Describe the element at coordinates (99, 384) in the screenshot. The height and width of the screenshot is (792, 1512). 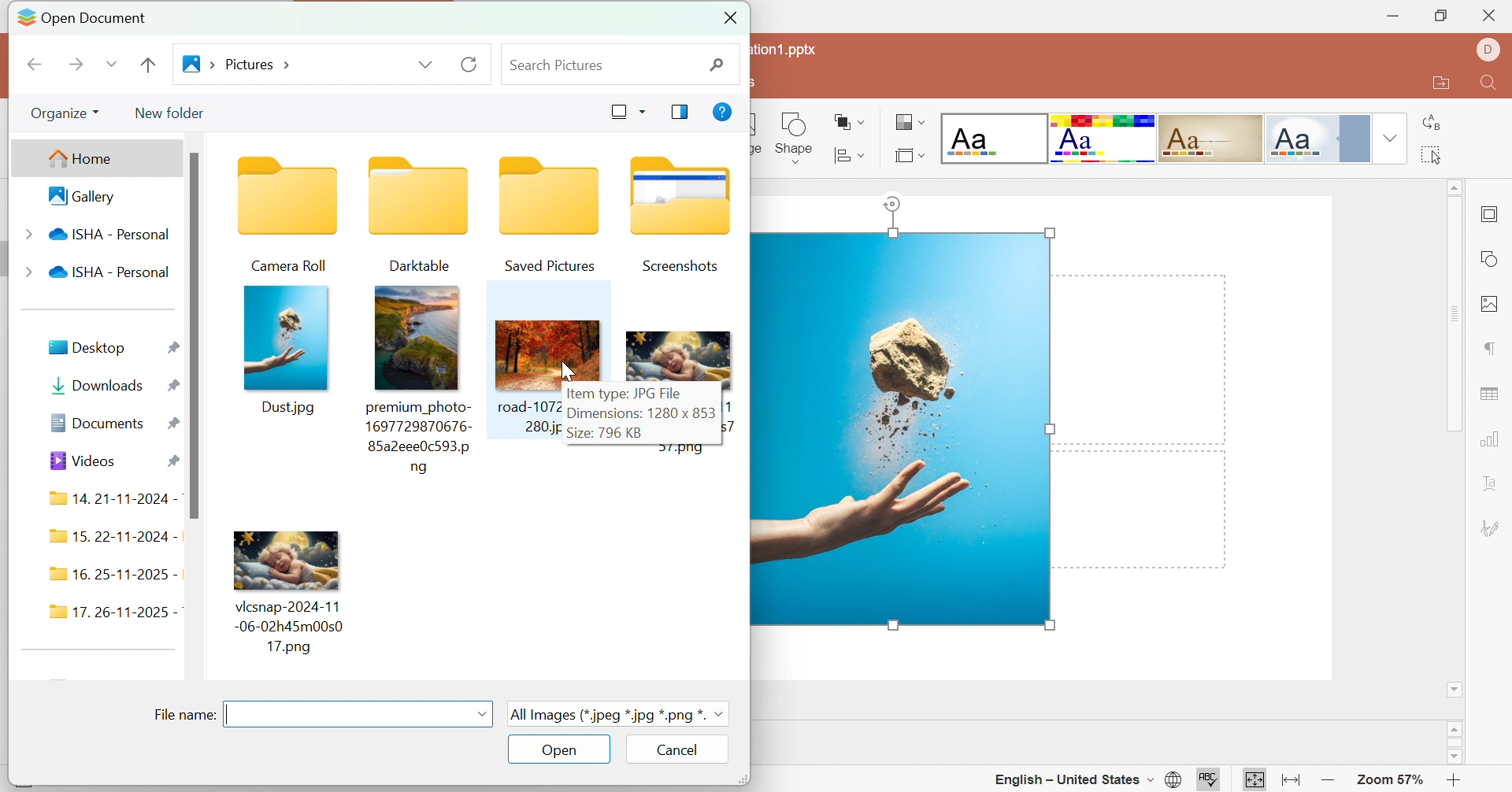
I see `Downloads` at that location.